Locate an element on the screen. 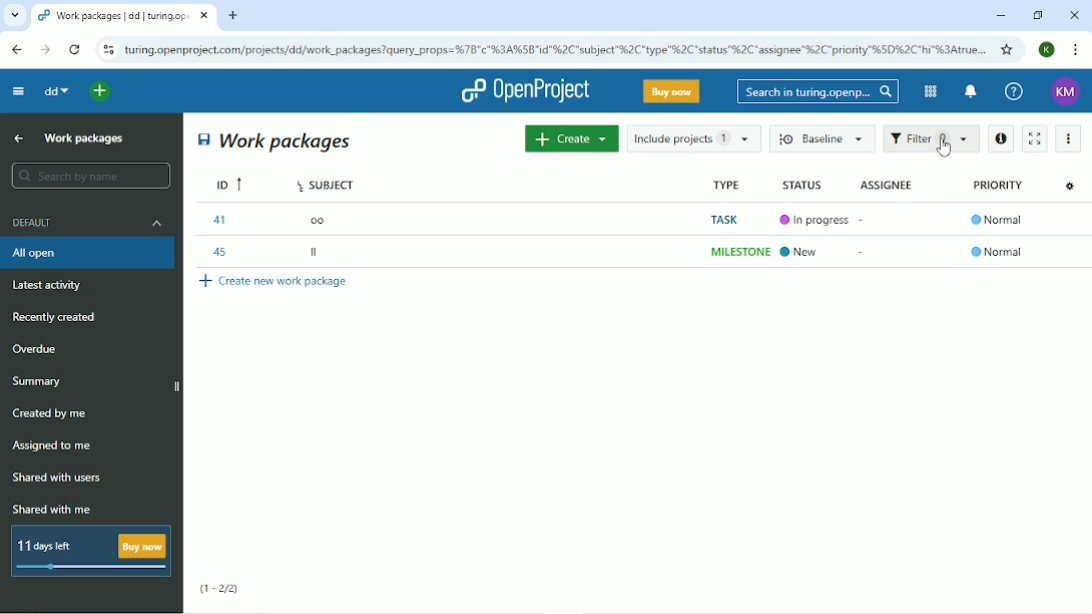 The image size is (1092, 614). 41 is located at coordinates (223, 220).